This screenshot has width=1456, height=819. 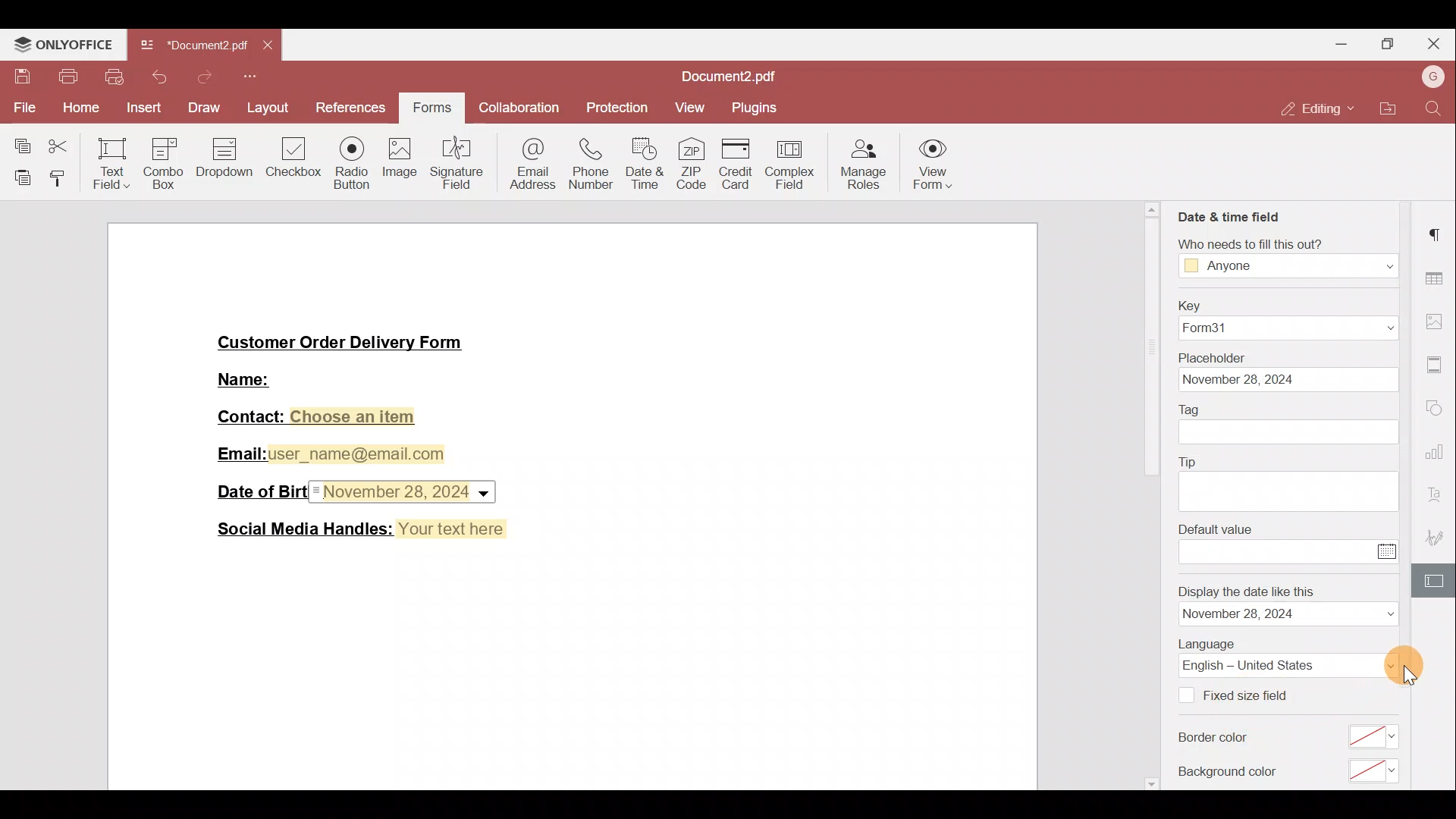 I want to click on Copy style, so click(x=61, y=176).